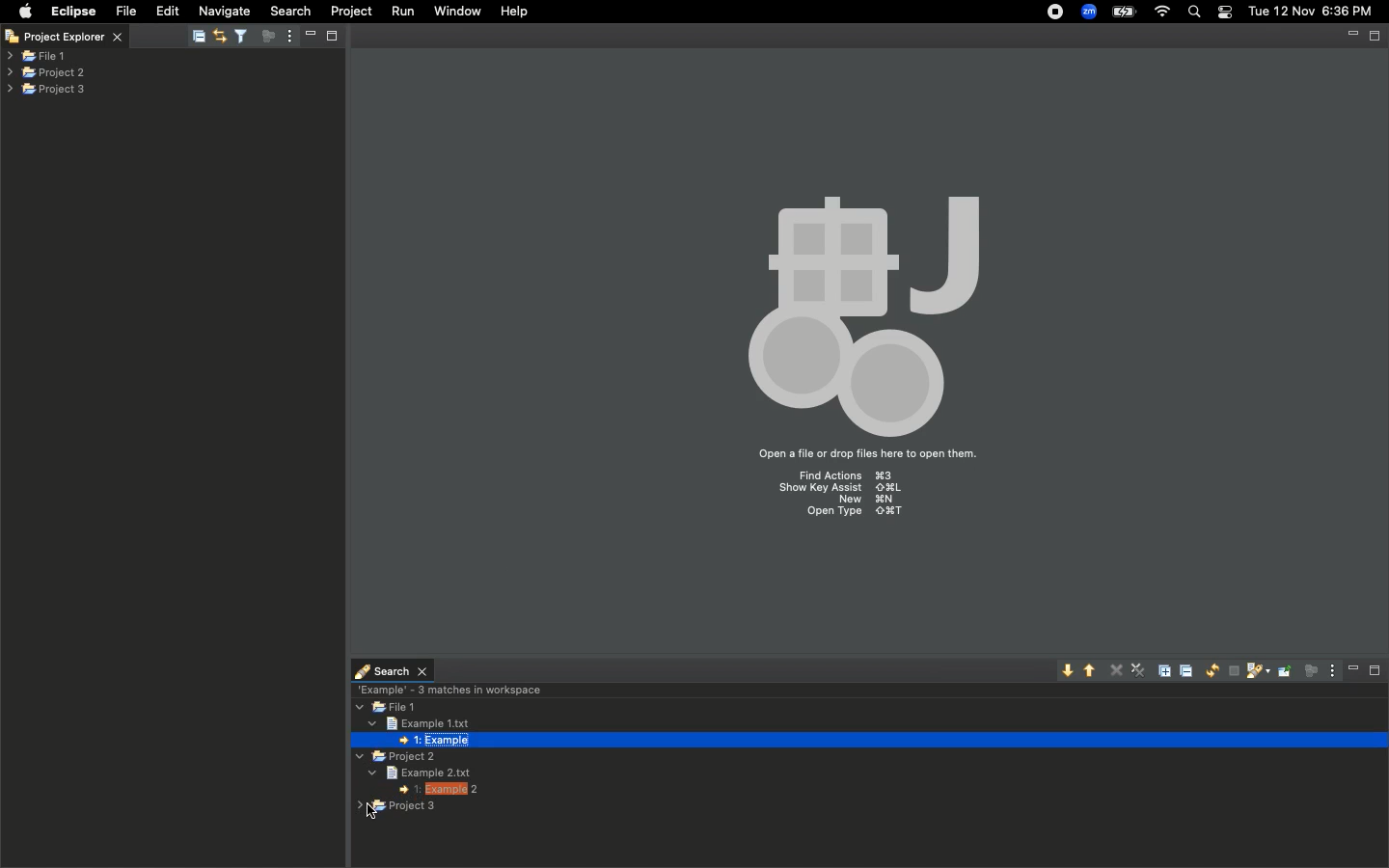 The width and height of the screenshot is (1389, 868). What do you see at coordinates (389, 708) in the screenshot?
I see `File 1` at bounding box center [389, 708].